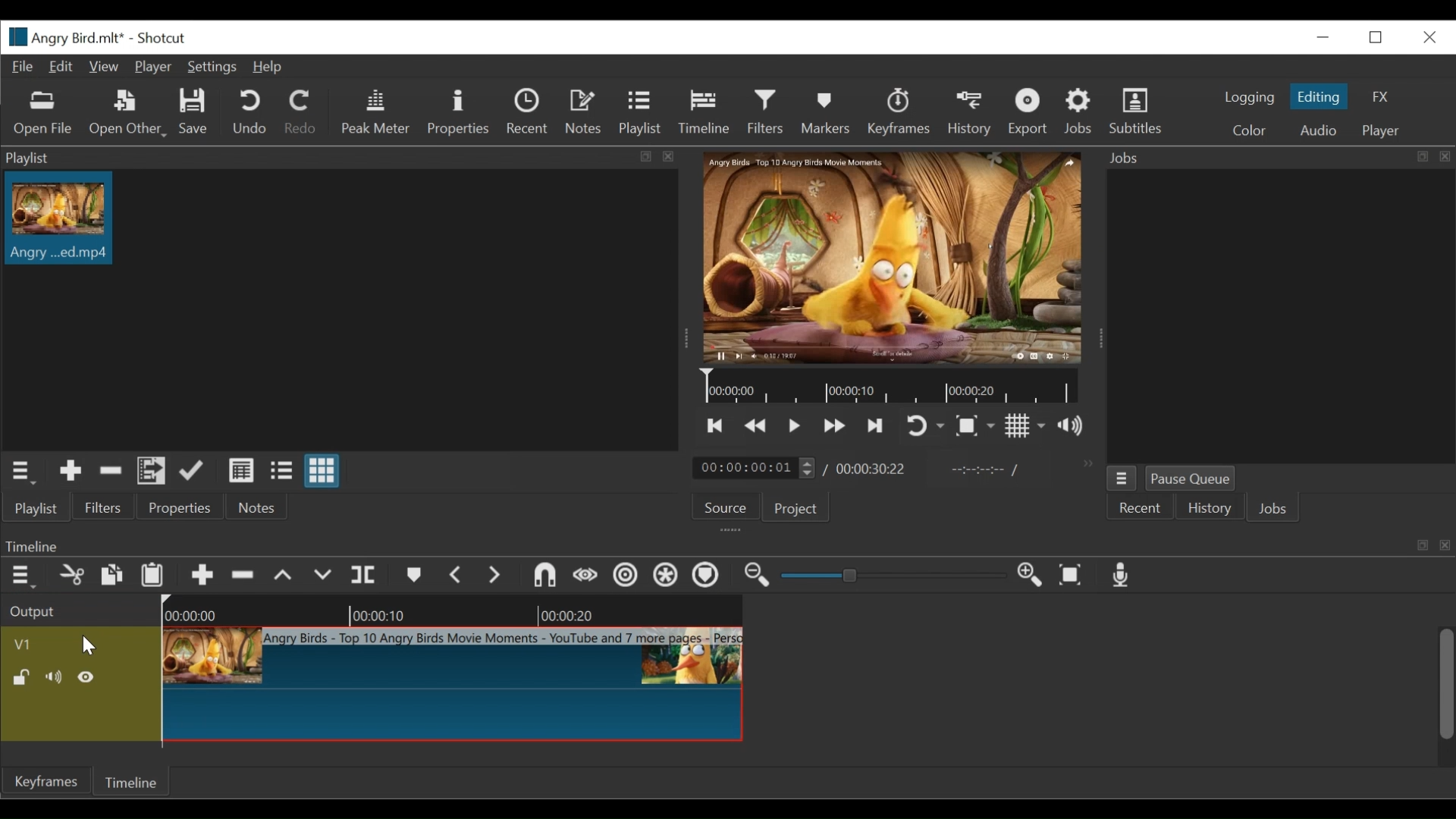 Image resolution: width=1456 pixels, height=819 pixels. Describe the element at coordinates (252, 113) in the screenshot. I see `Undo` at that location.